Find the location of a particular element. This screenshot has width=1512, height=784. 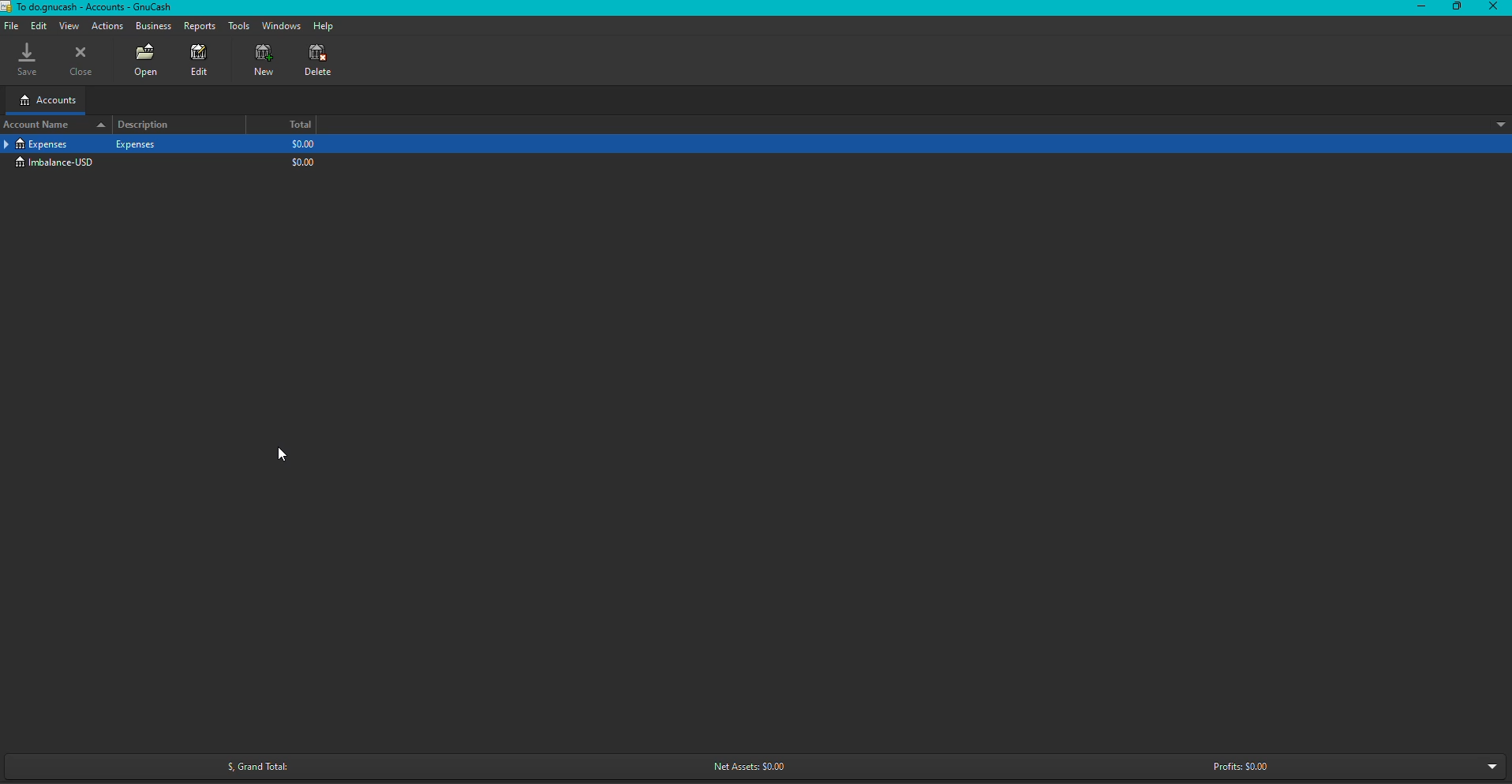

Reports is located at coordinates (197, 27).